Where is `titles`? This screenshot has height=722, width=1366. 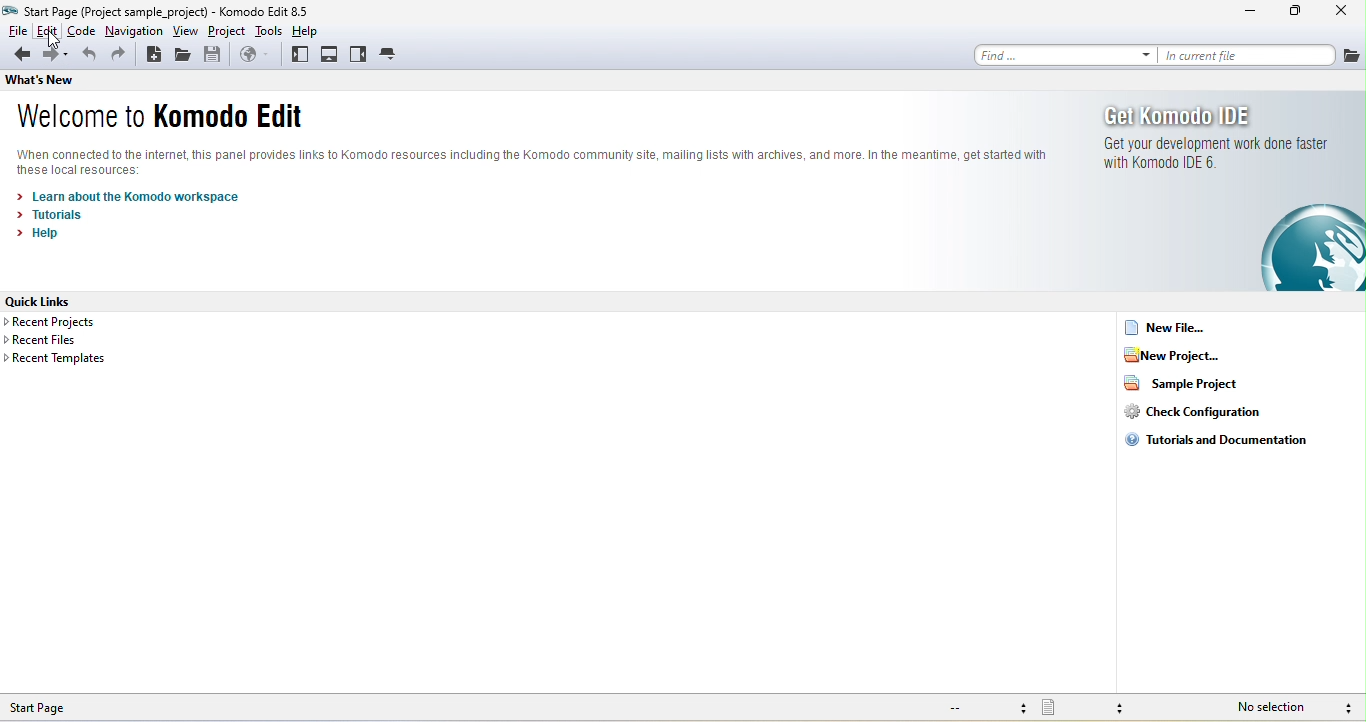 titles is located at coordinates (191, 12).